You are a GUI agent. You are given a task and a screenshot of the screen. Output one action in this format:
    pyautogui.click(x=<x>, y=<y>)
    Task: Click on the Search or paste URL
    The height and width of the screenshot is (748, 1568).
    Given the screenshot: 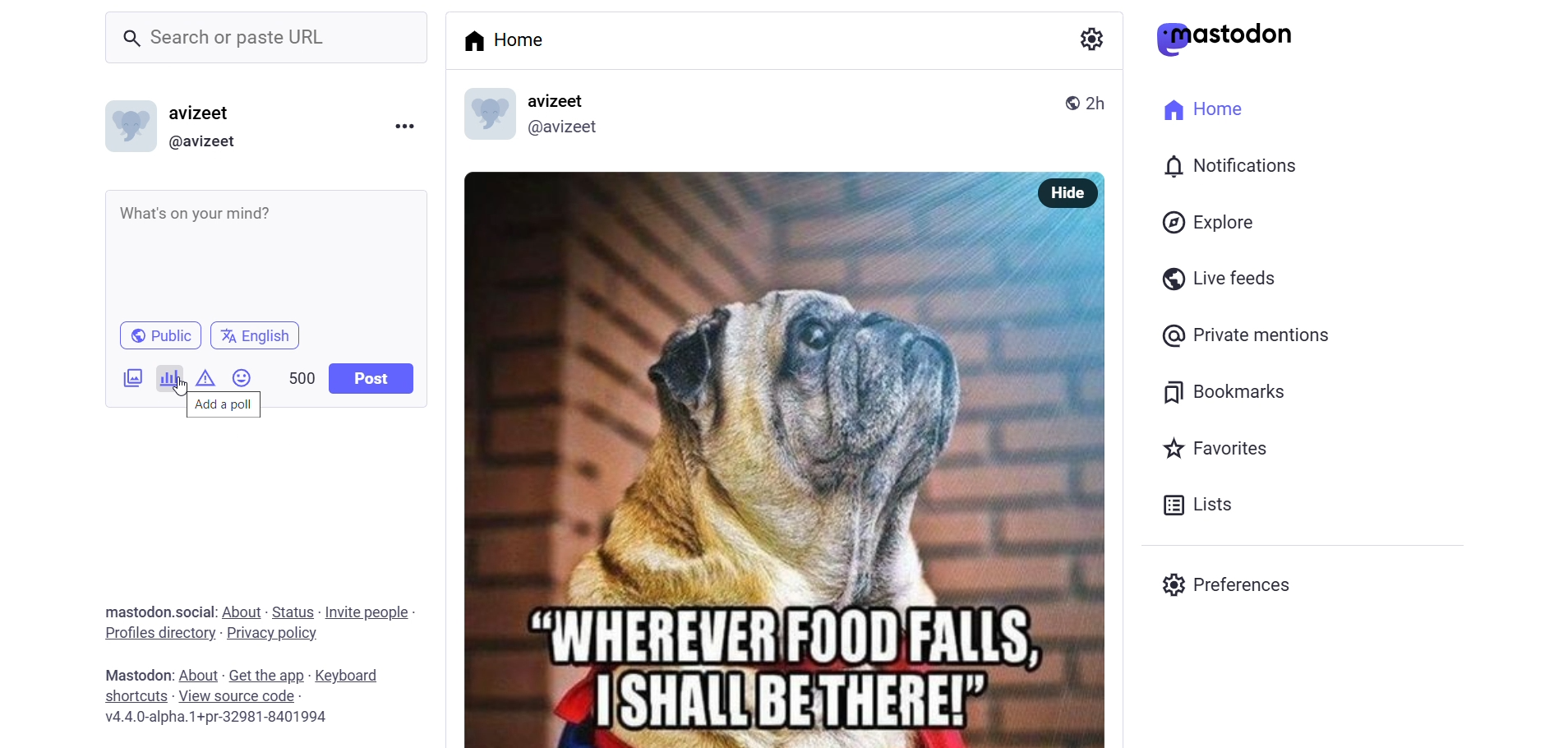 What is the action you would take?
    pyautogui.click(x=266, y=38)
    